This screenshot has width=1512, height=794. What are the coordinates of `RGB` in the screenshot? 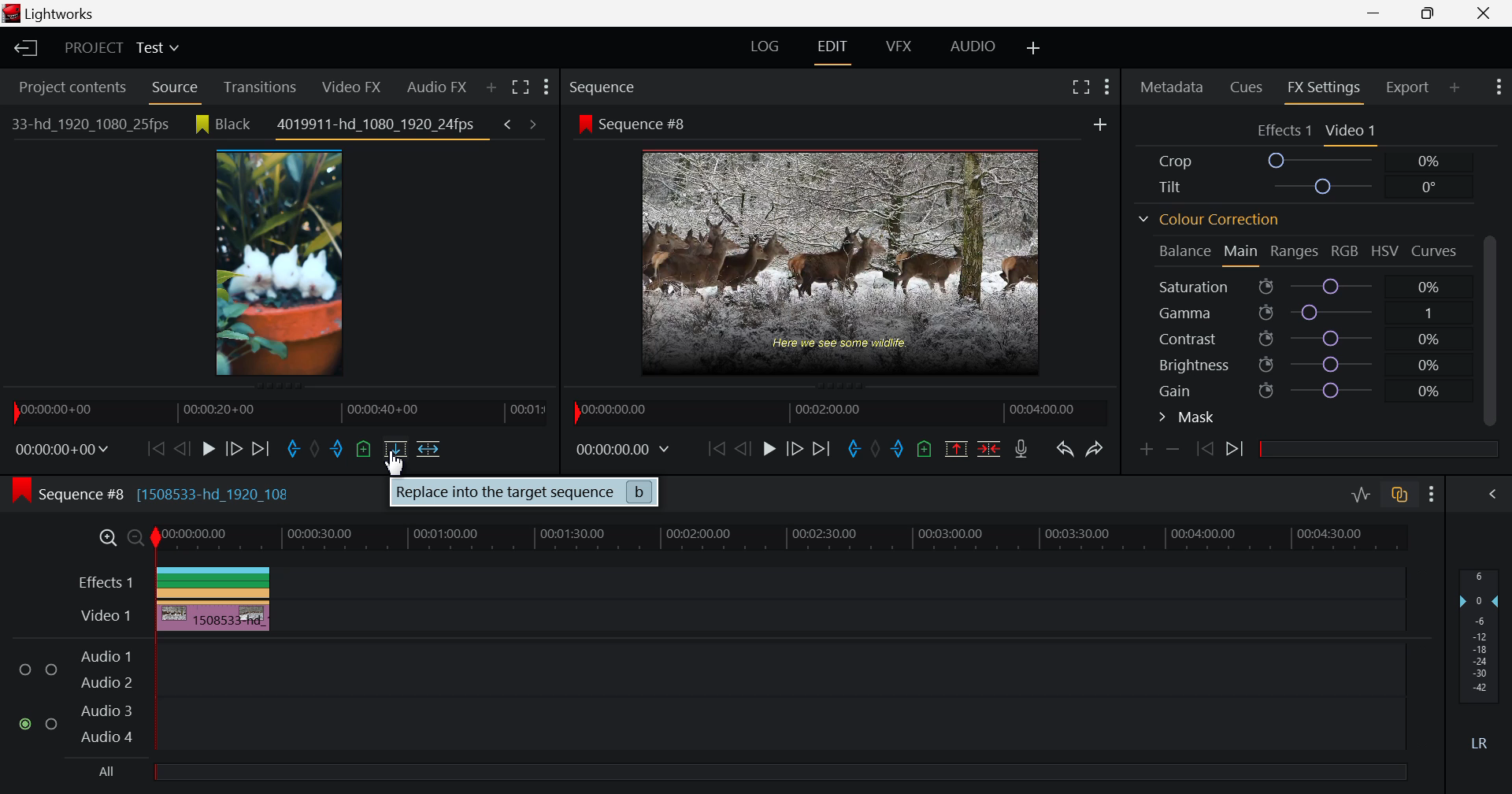 It's located at (1343, 250).